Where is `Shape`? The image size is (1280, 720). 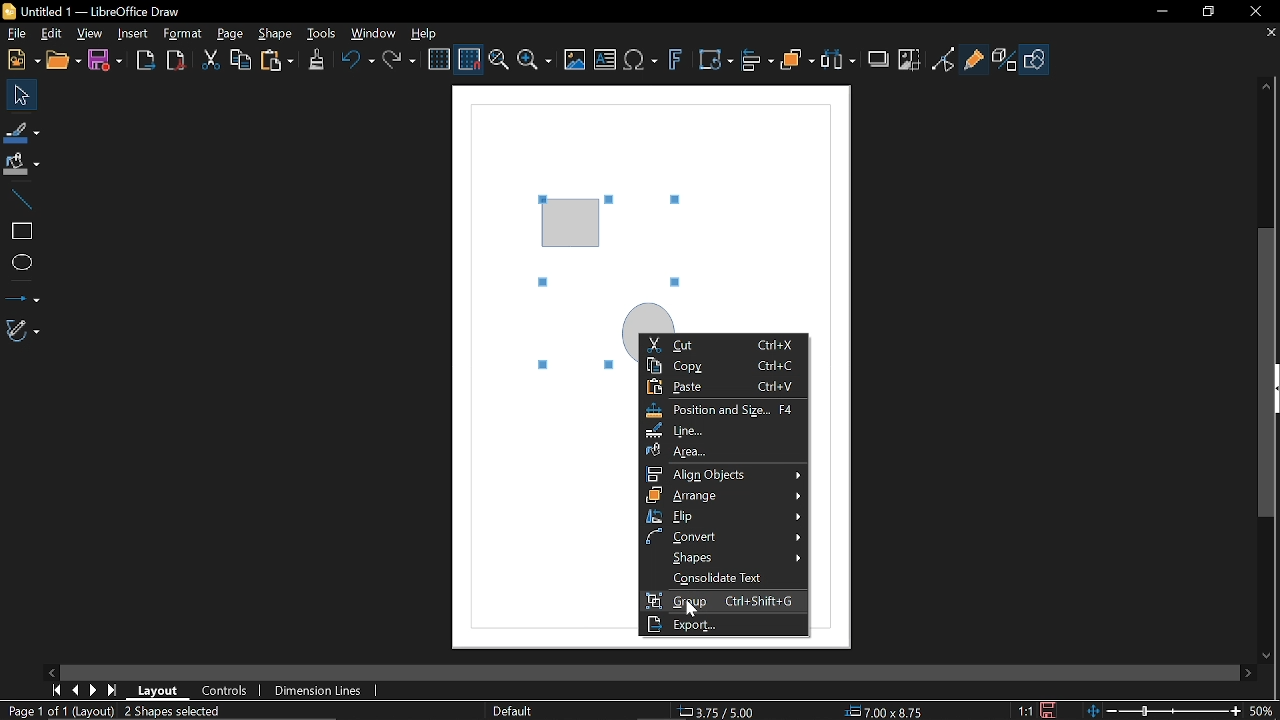
Shape is located at coordinates (275, 36).